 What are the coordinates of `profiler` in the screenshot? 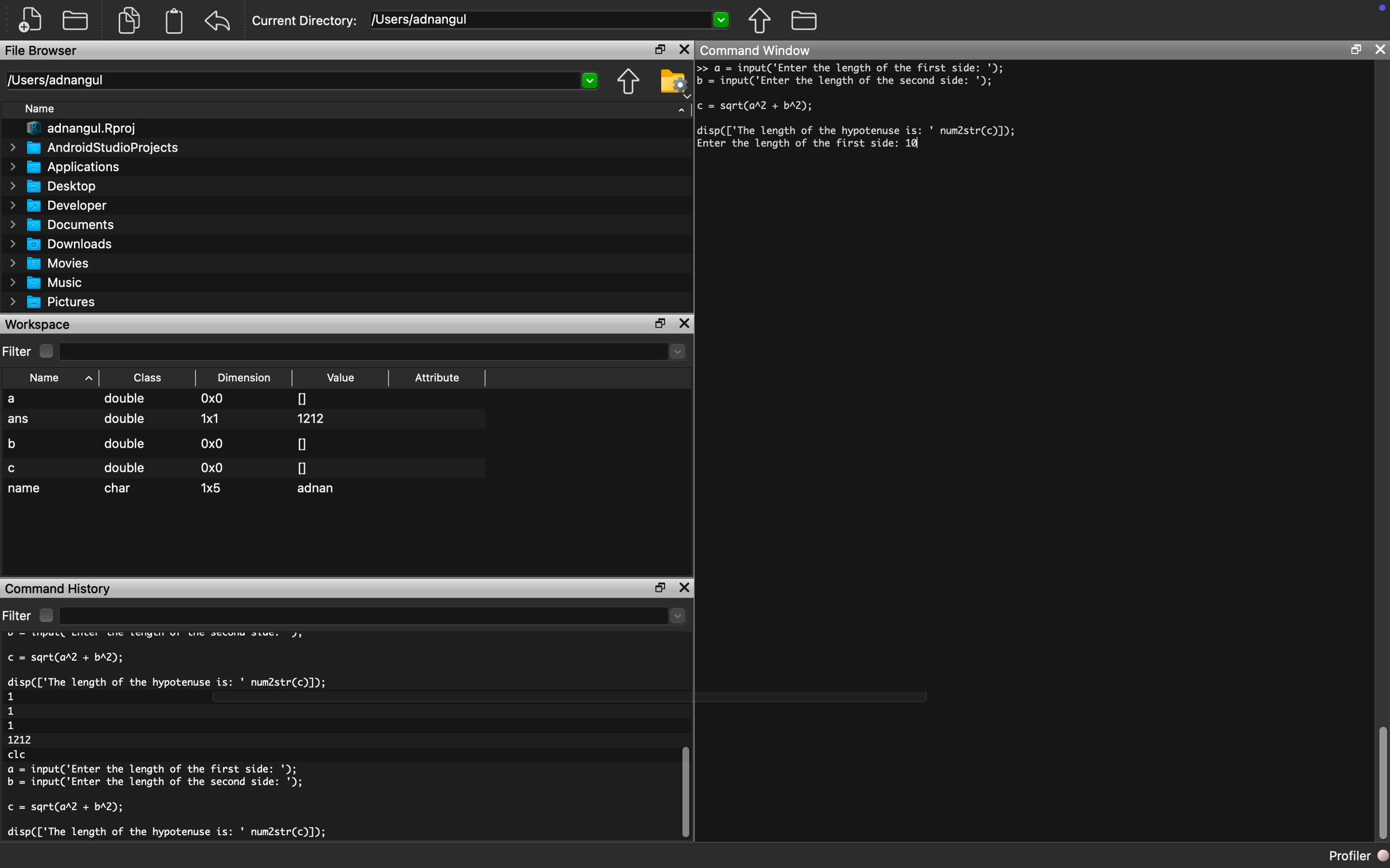 It's located at (1346, 855).